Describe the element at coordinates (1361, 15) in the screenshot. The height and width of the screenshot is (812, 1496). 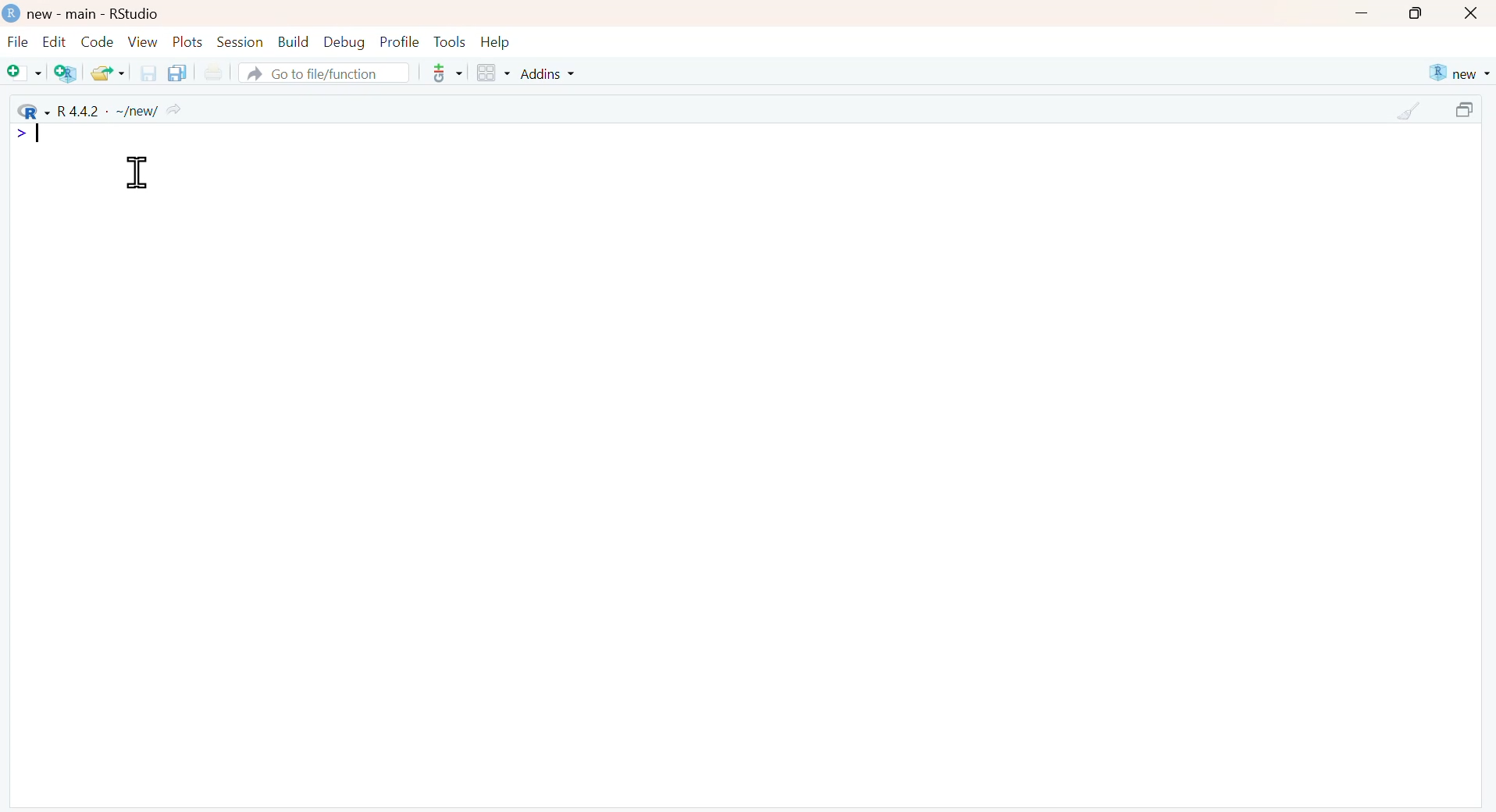
I see `minimize` at that location.